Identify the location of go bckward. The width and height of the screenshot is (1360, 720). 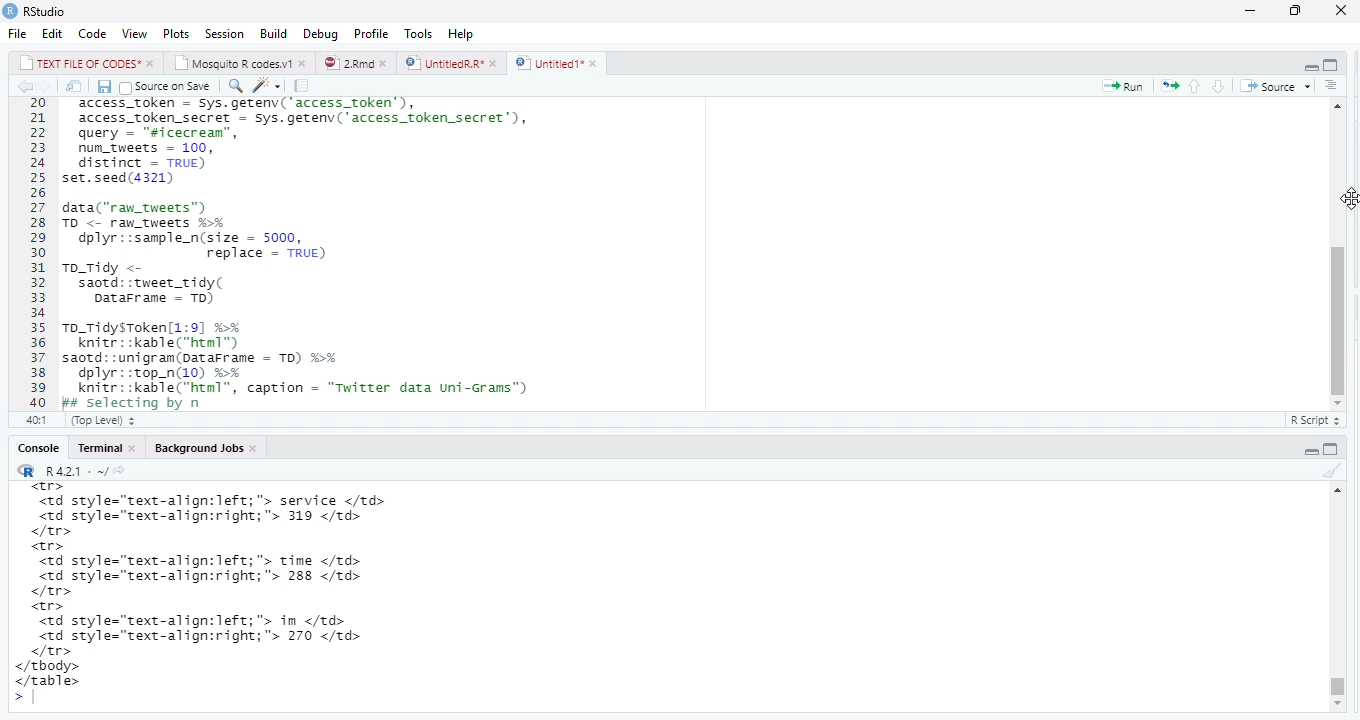
(32, 85).